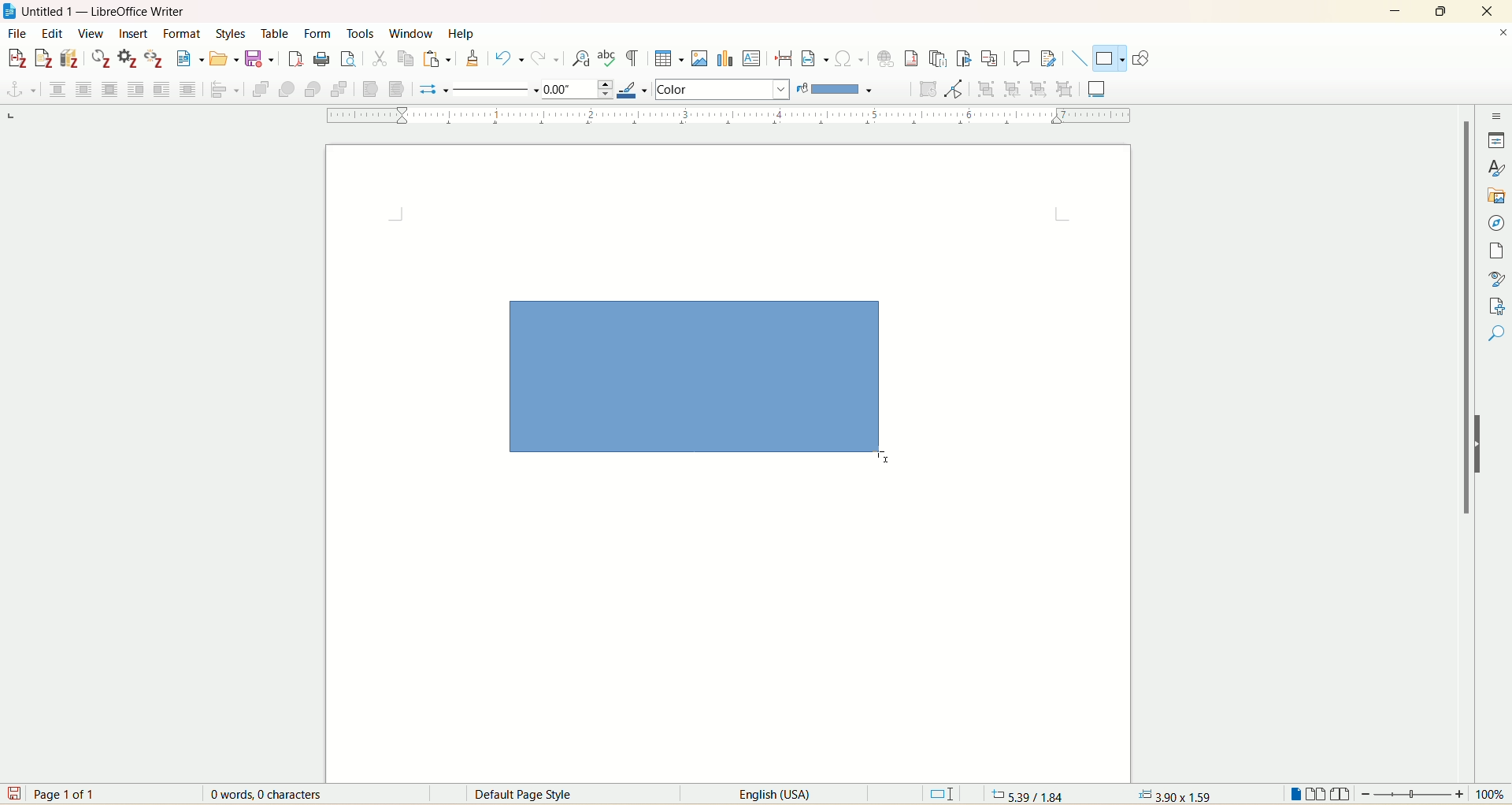 This screenshot has height=805, width=1512. What do you see at coordinates (510, 58) in the screenshot?
I see `undo` at bounding box center [510, 58].